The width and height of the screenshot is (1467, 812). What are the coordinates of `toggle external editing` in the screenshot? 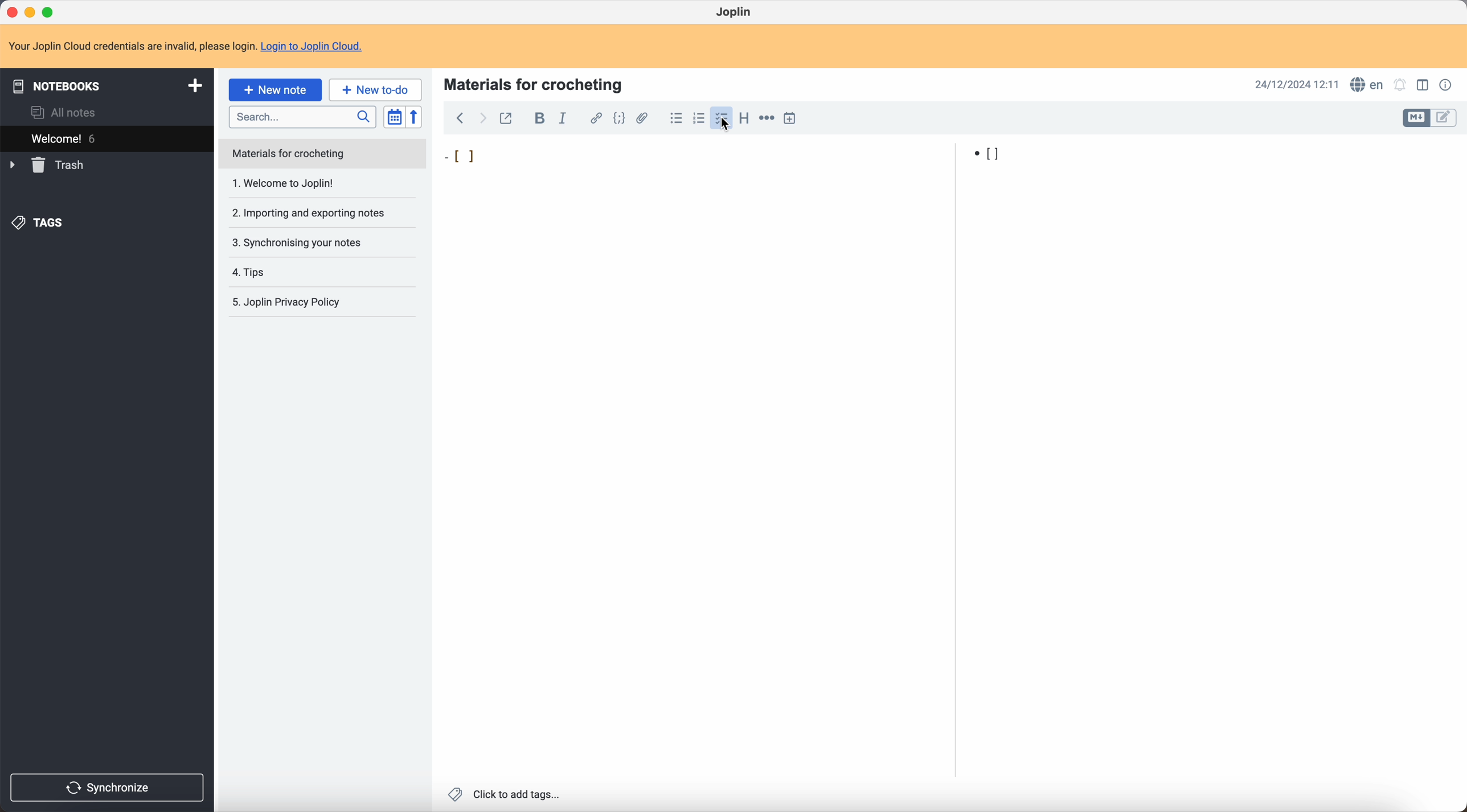 It's located at (507, 121).